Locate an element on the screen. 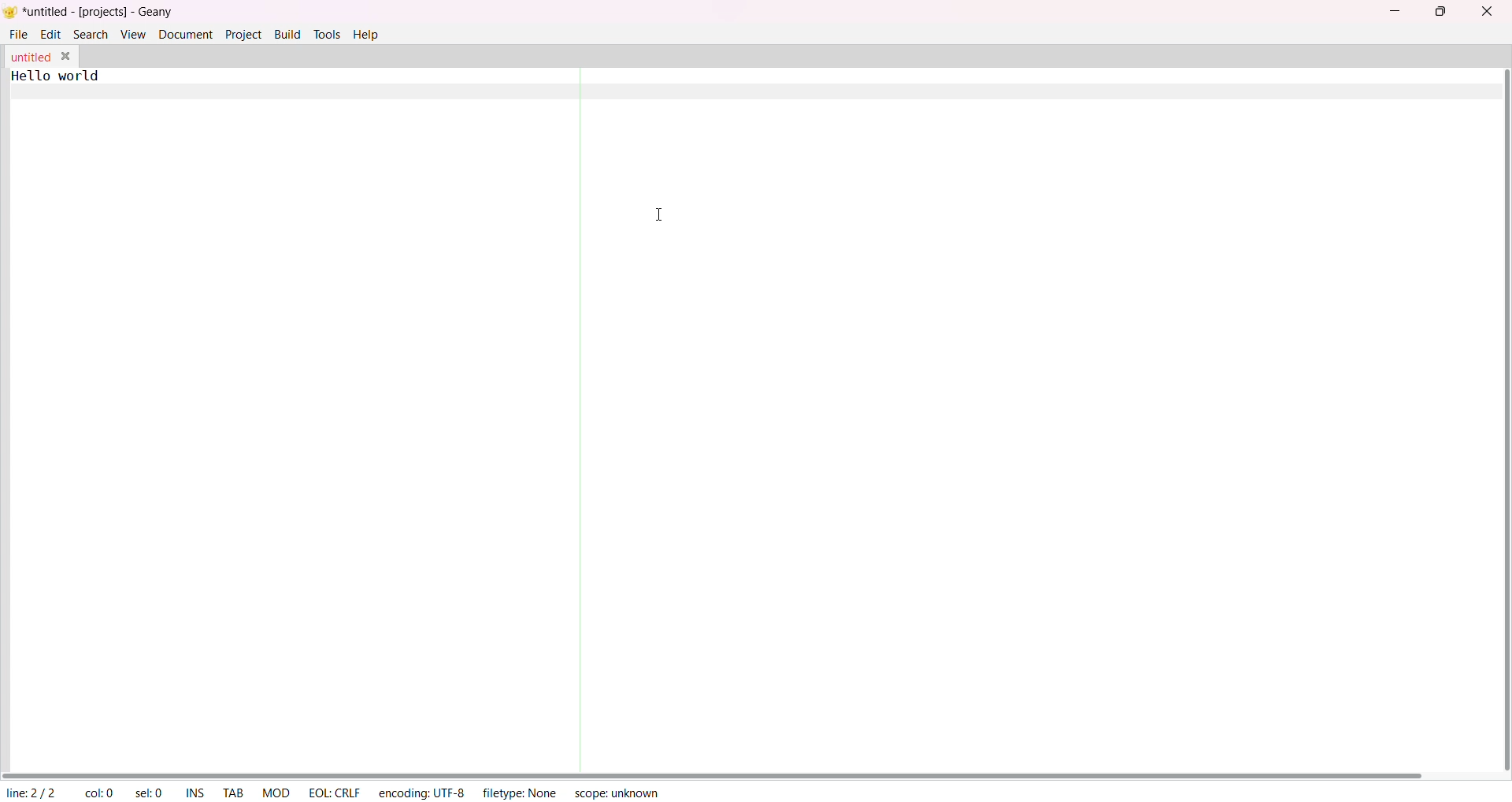  sel: 0 is located at coordinates (150, 793).